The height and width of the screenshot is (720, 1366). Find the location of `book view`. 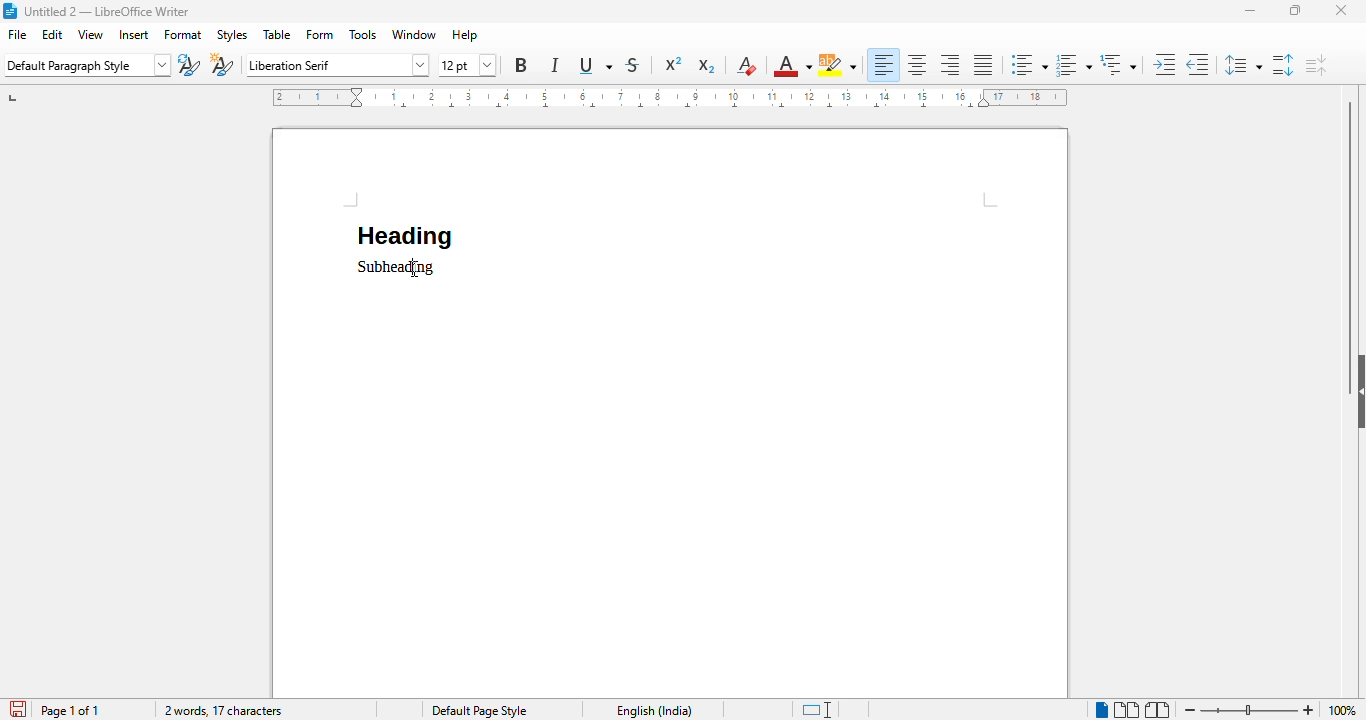

book view is located at coordinates (1158, 708).